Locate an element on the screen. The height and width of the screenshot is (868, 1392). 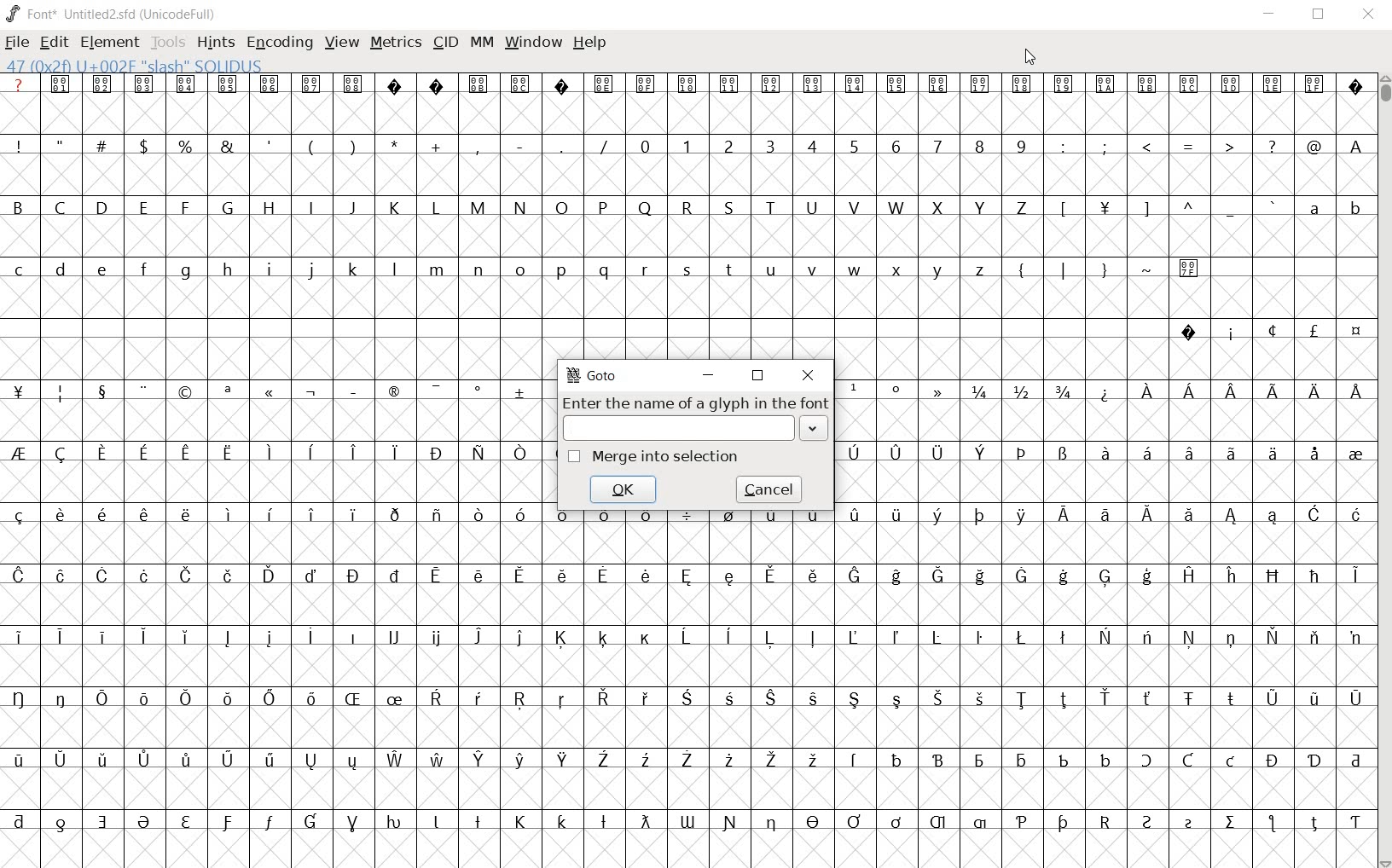
symbols is located at coordinates (276, 392).